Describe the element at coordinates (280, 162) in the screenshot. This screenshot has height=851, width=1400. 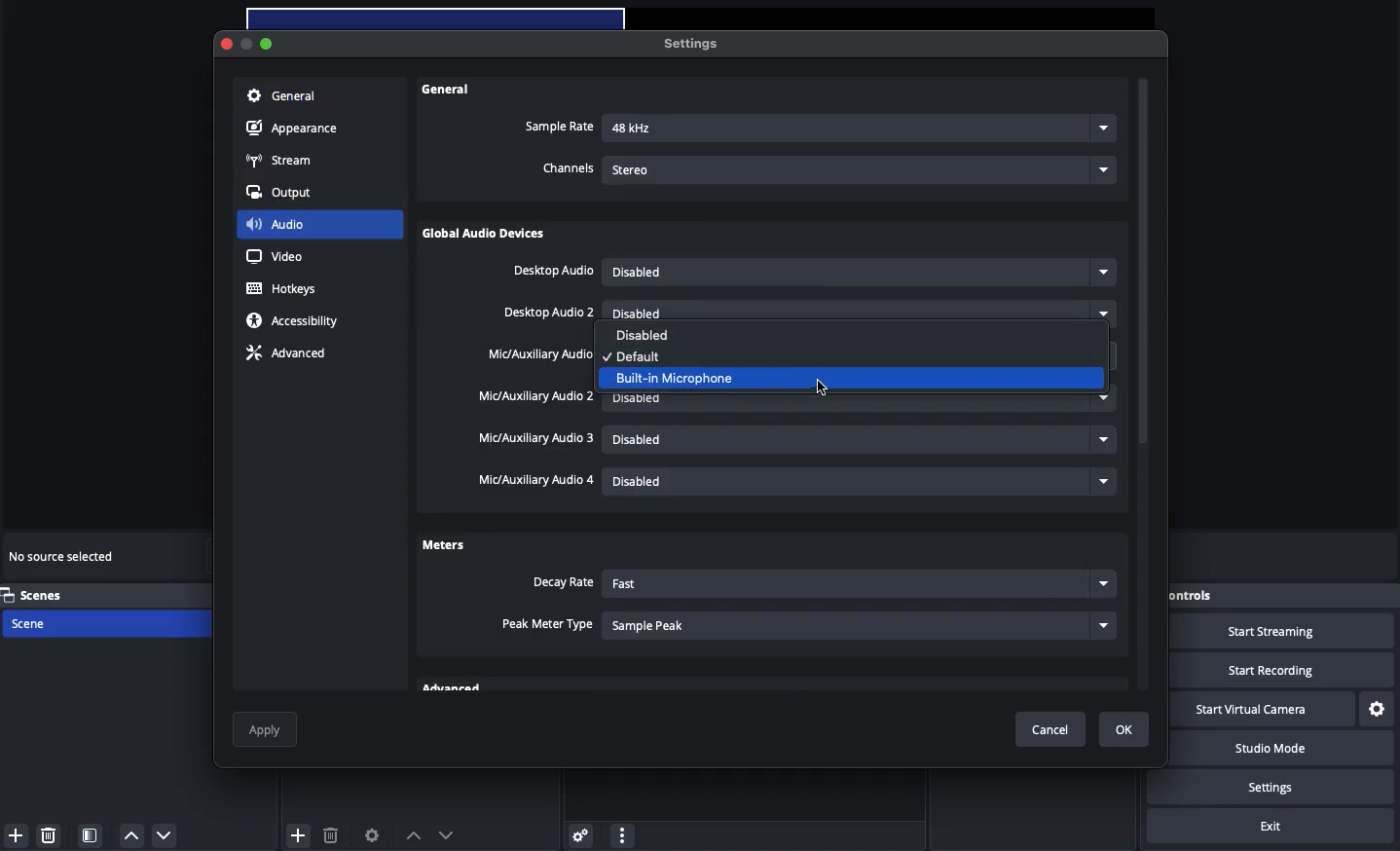
I see `Stream` at that location.